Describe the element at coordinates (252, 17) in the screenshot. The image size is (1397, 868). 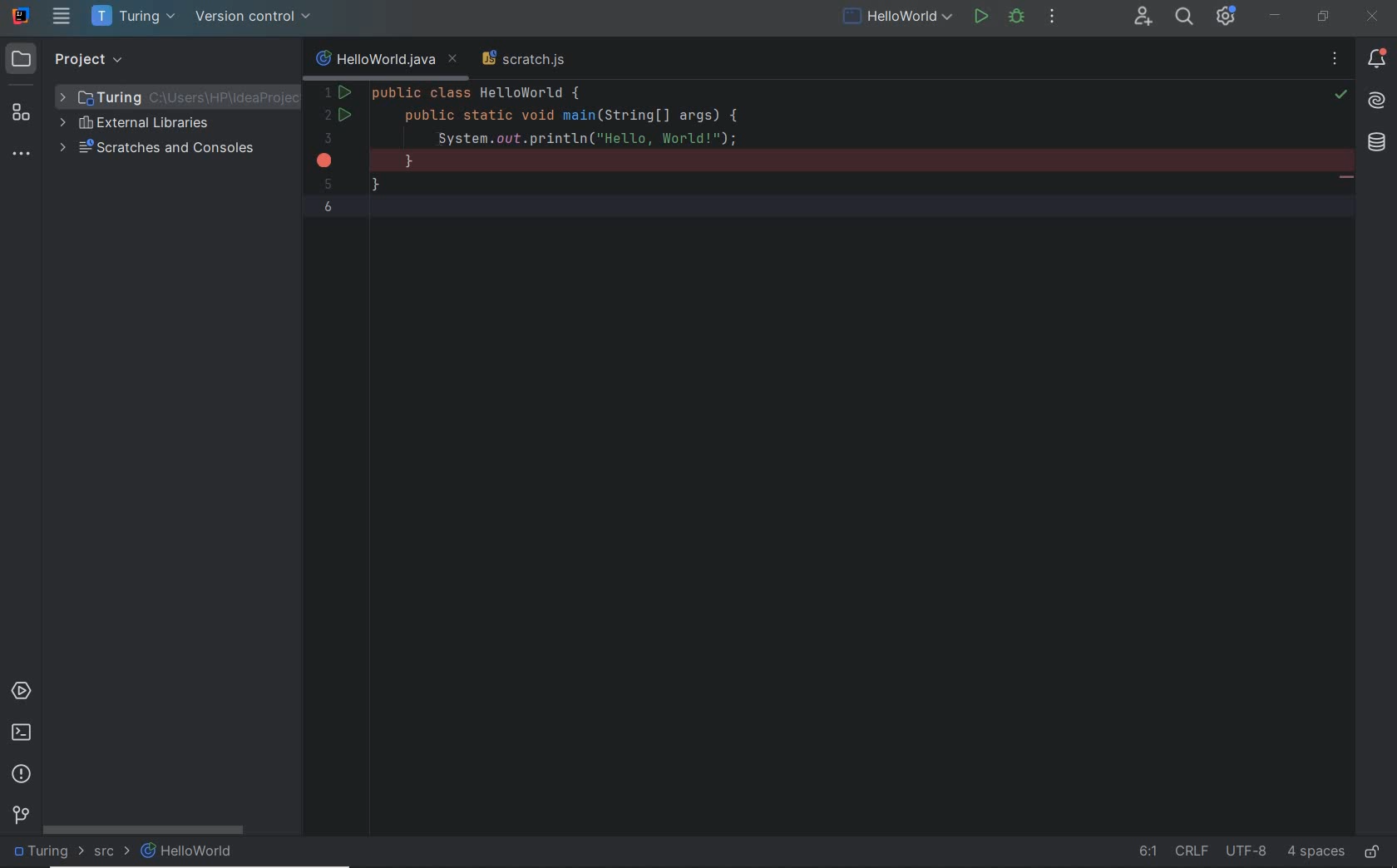
I see `version control` at that location.